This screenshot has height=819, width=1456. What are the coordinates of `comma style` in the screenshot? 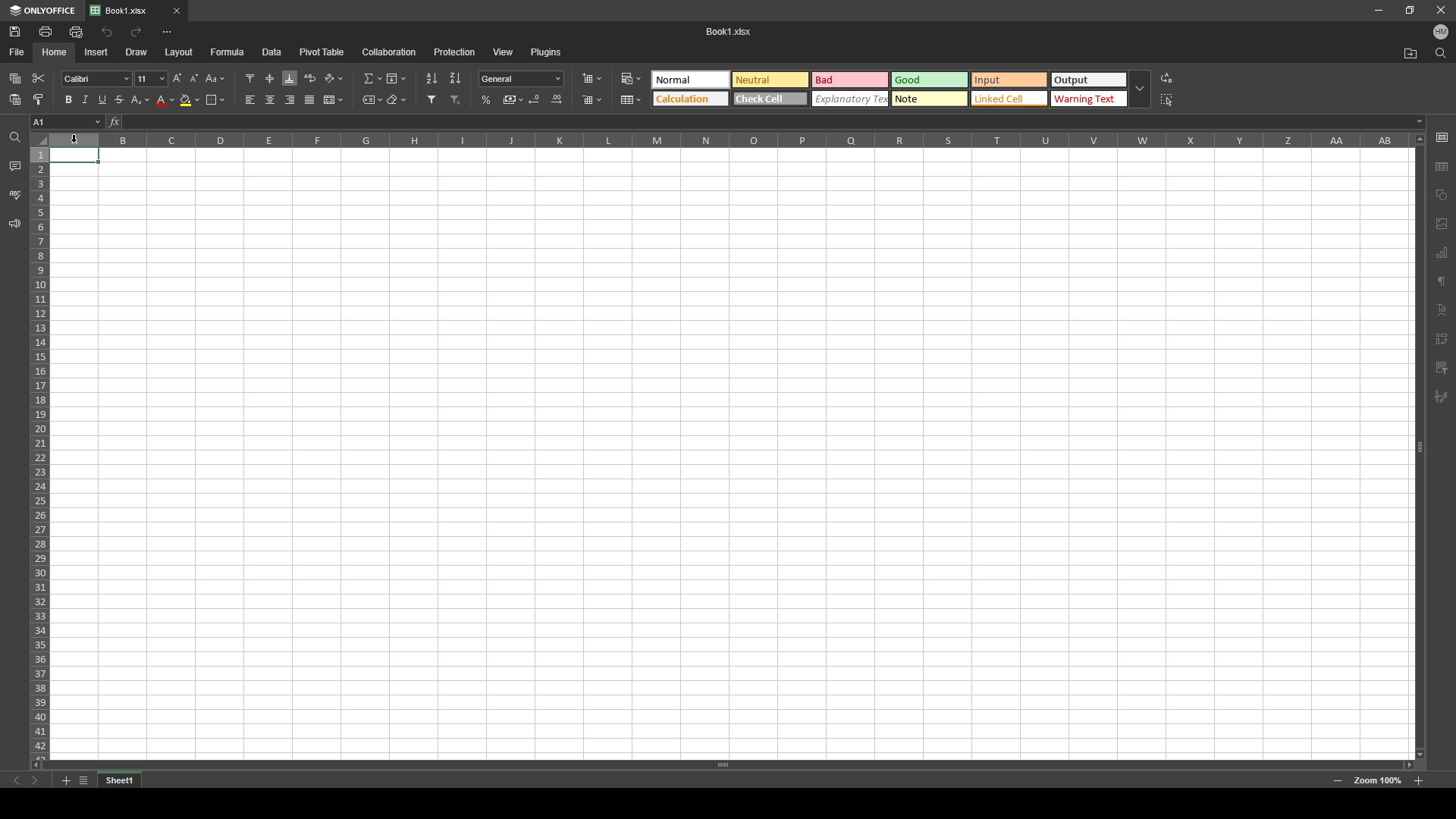 It's located at (513, 99).